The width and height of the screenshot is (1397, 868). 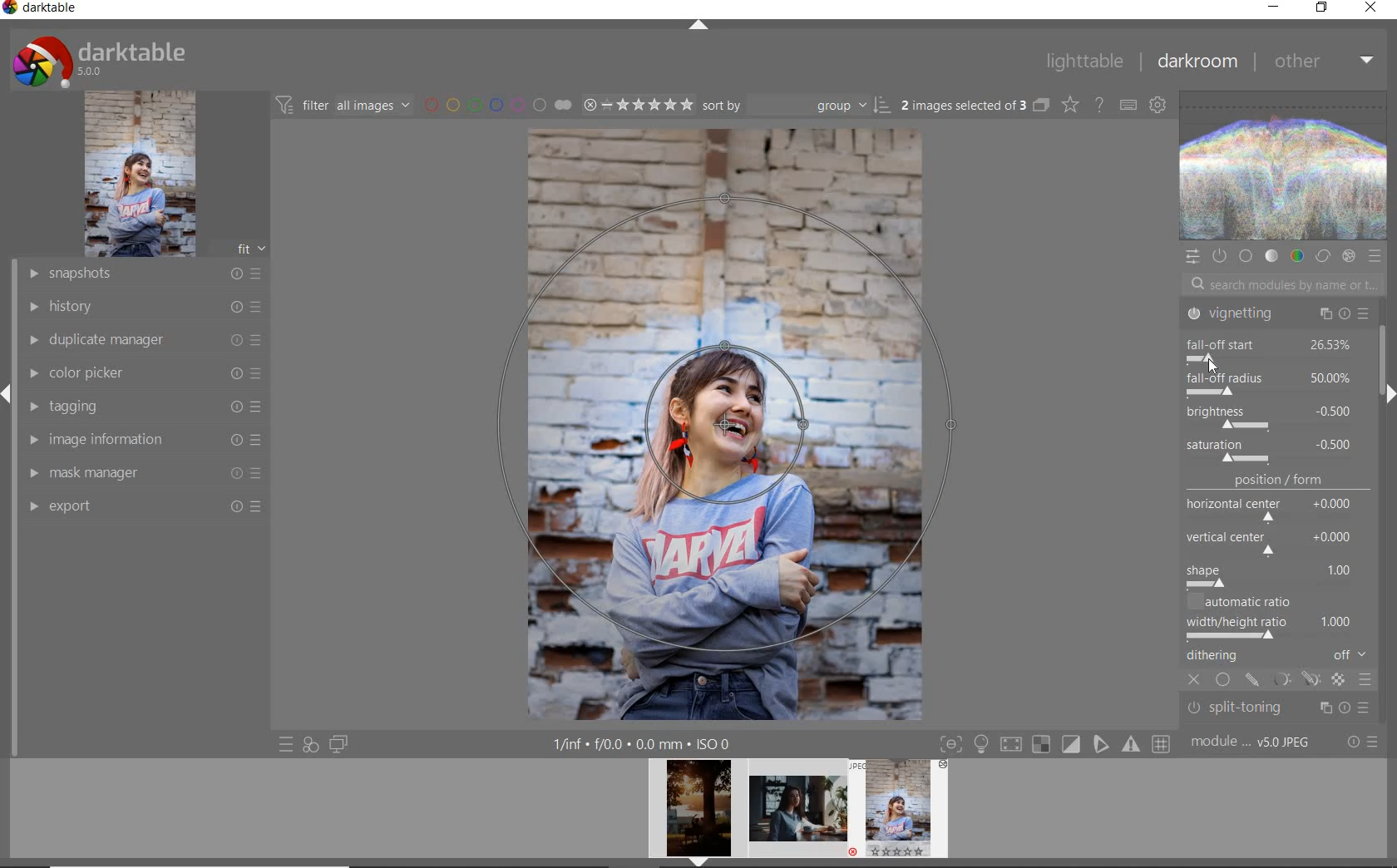 What do you see at coordinates (1324, 61) in the screenshot?
I see `OTHER` at bounding box center [1324, 61].